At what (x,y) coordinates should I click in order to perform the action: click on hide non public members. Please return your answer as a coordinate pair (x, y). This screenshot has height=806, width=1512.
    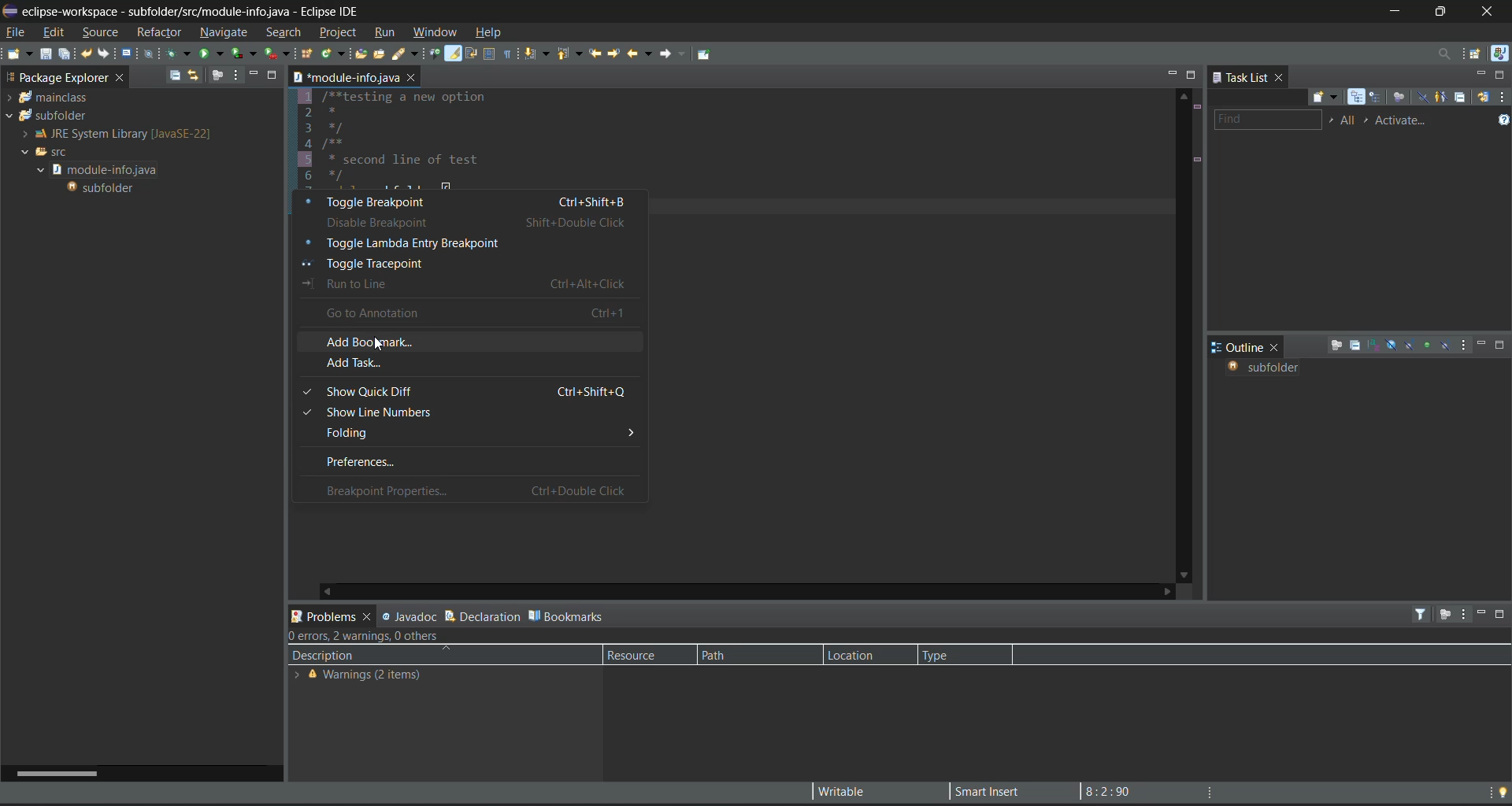
    Looking at the image, I should click on (1428, 343).